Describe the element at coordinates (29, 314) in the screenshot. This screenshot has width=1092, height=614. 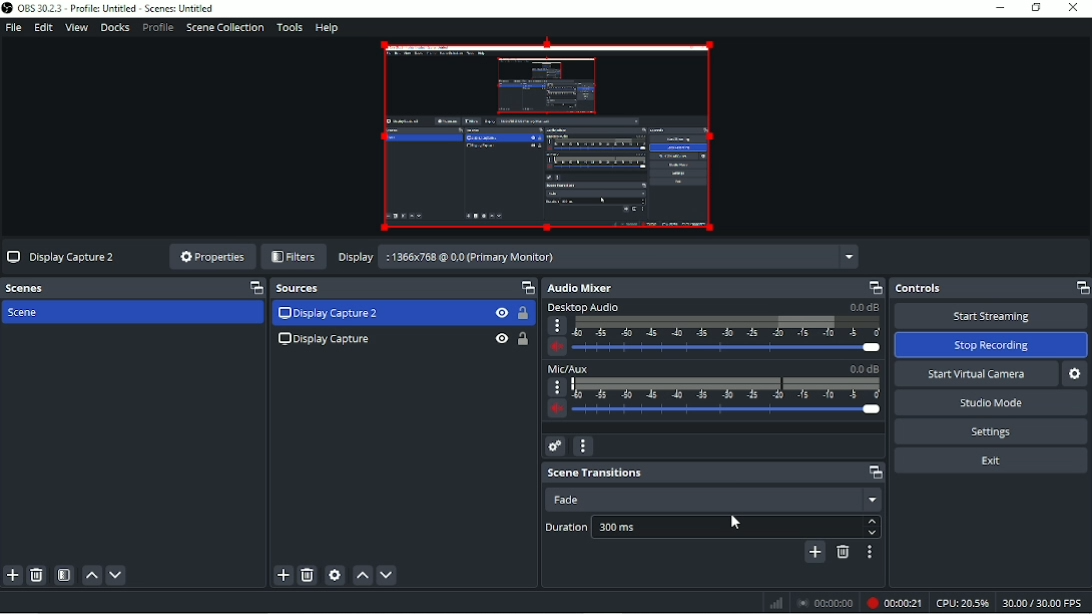
I see `Scene` at that location.